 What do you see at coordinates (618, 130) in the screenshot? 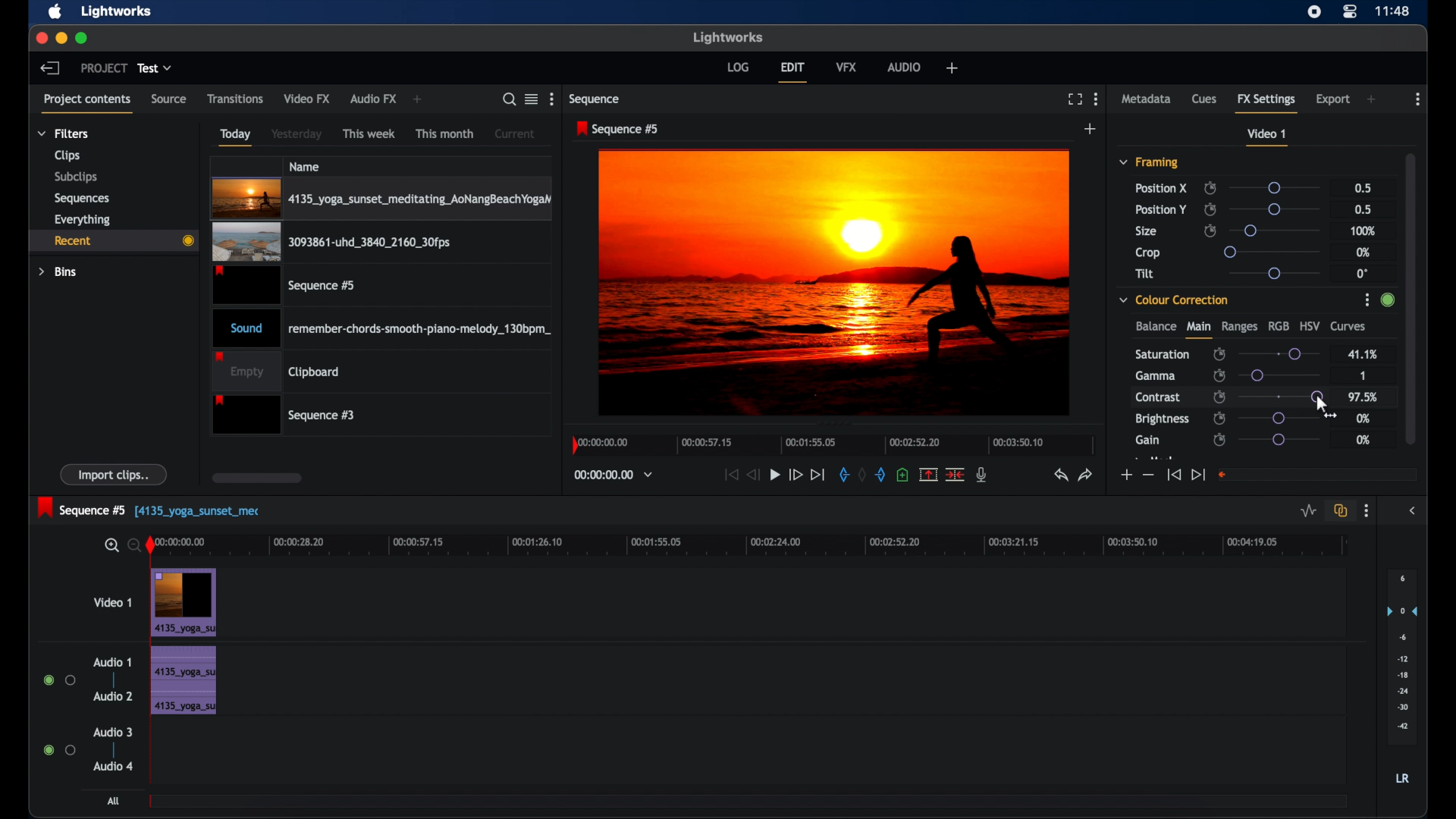
I see `sequence 5` at bounding box center [618, 130].